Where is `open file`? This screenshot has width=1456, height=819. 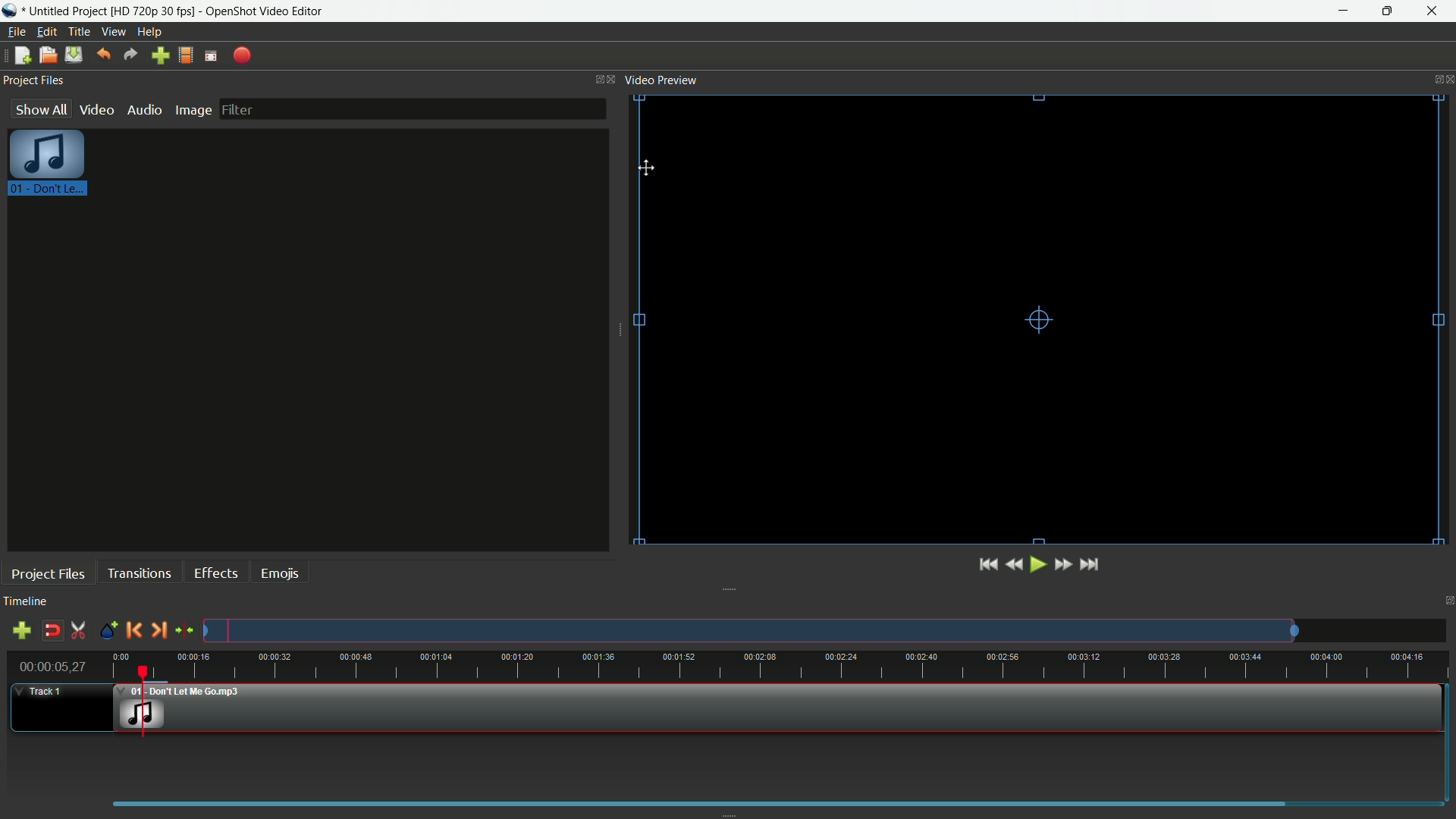
open file is located at coordinates (48, 55).